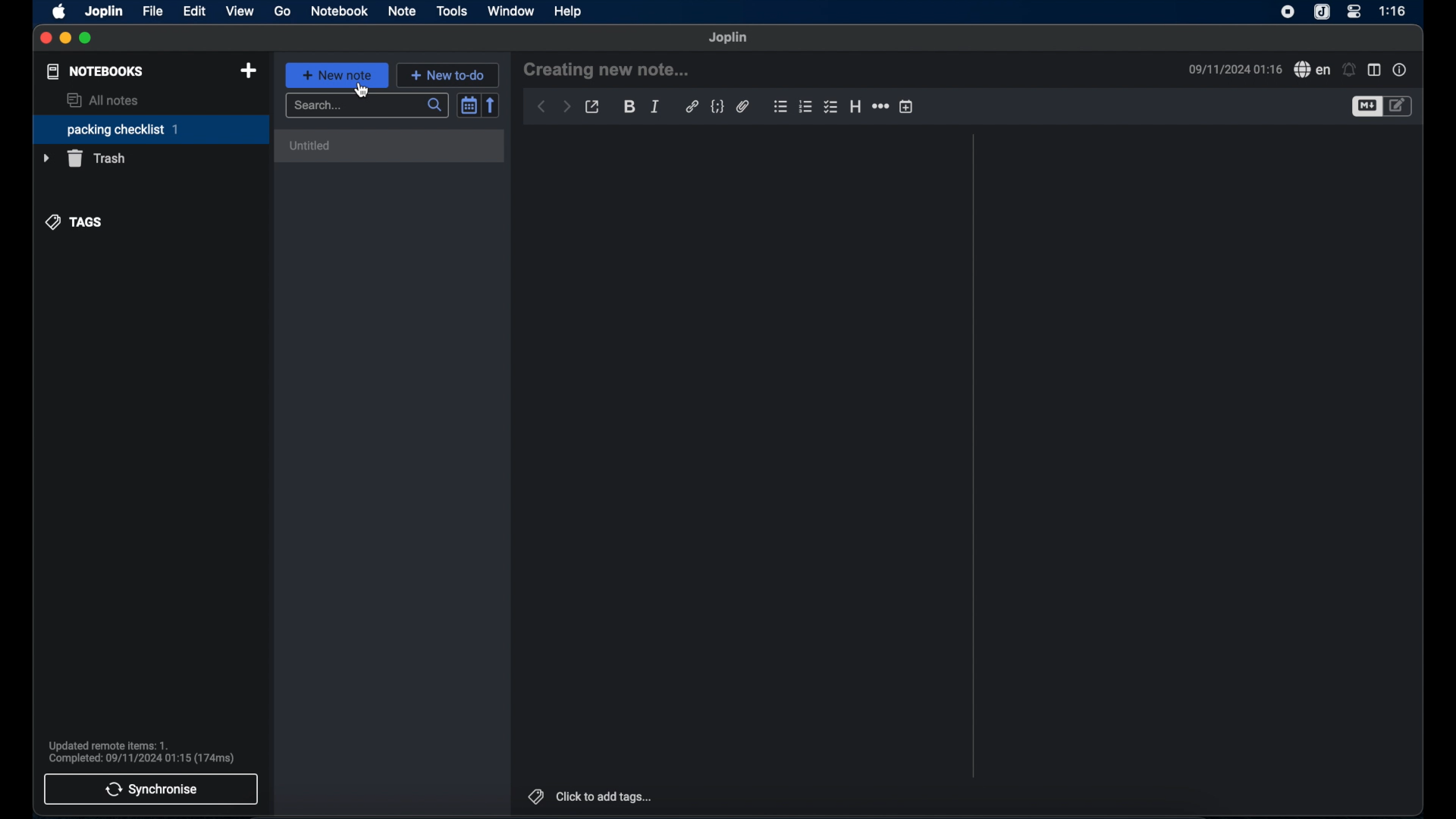 The height and width of the screenshot is (819, 1456). Describe the element at coordinates (591, 795) in the screenshot. I see `click to add tags` at that location.